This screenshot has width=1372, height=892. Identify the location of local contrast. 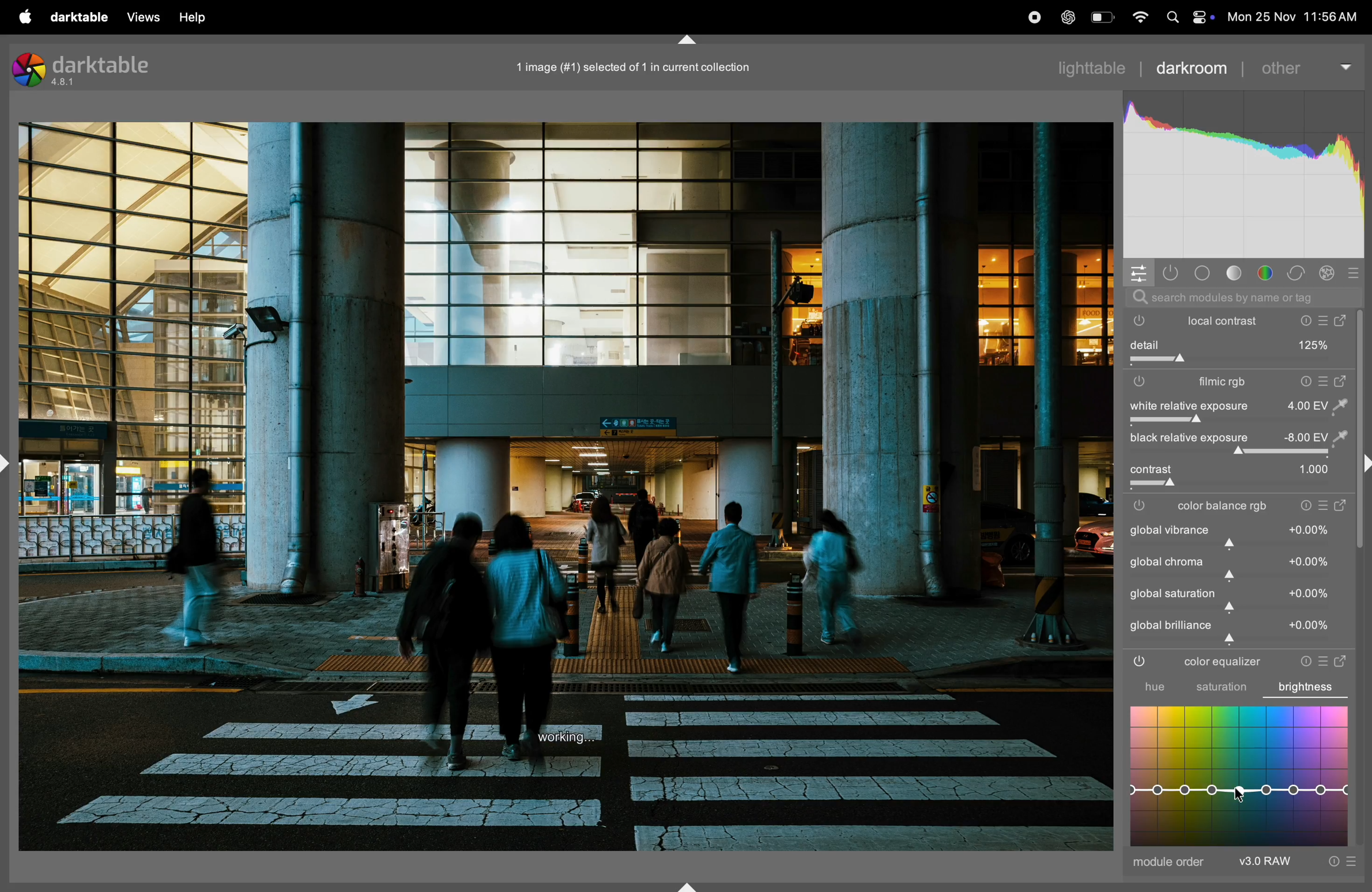
(1269, 320).